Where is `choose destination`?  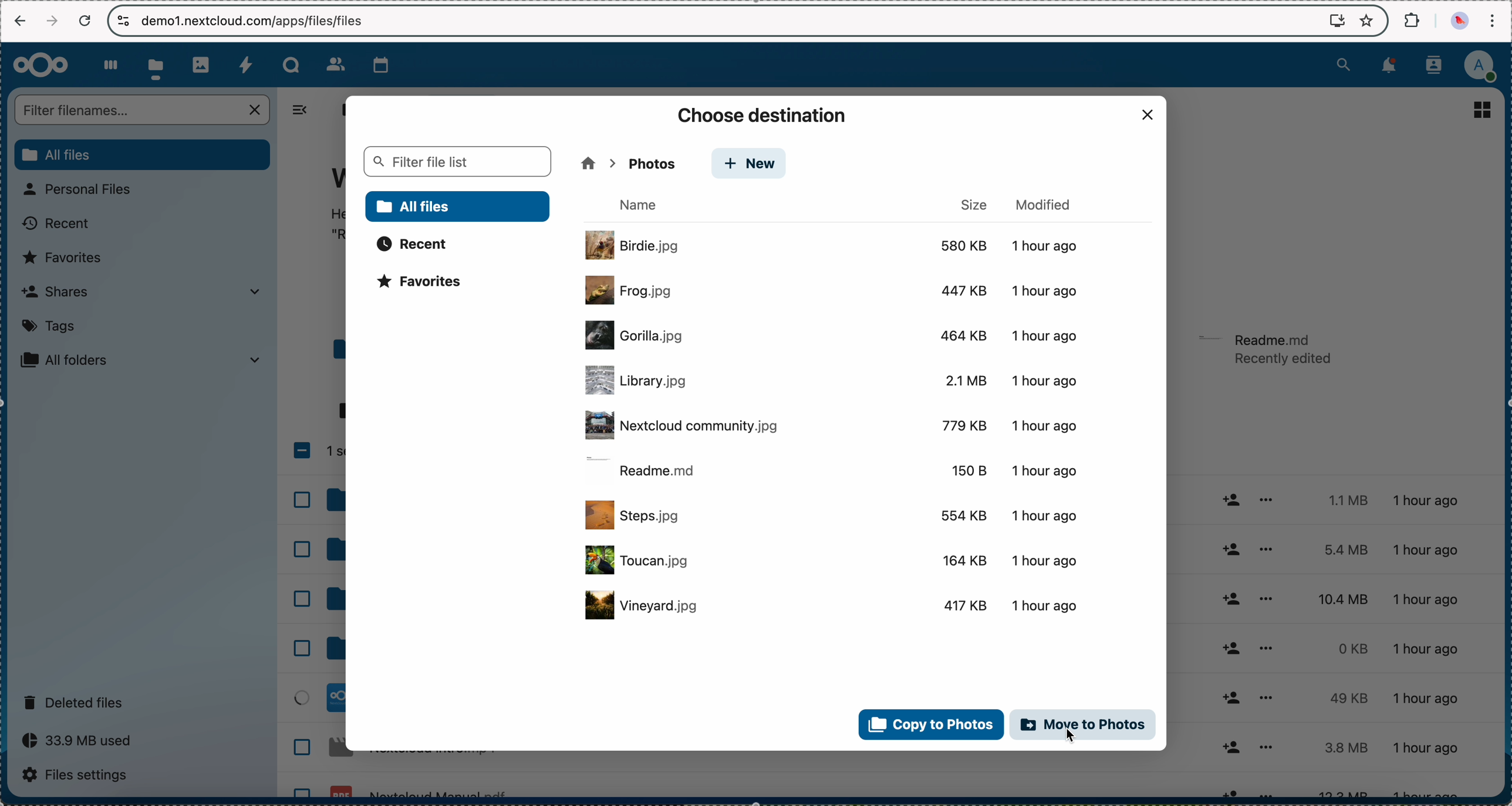 choose destination is located at coordinates (764, 115).